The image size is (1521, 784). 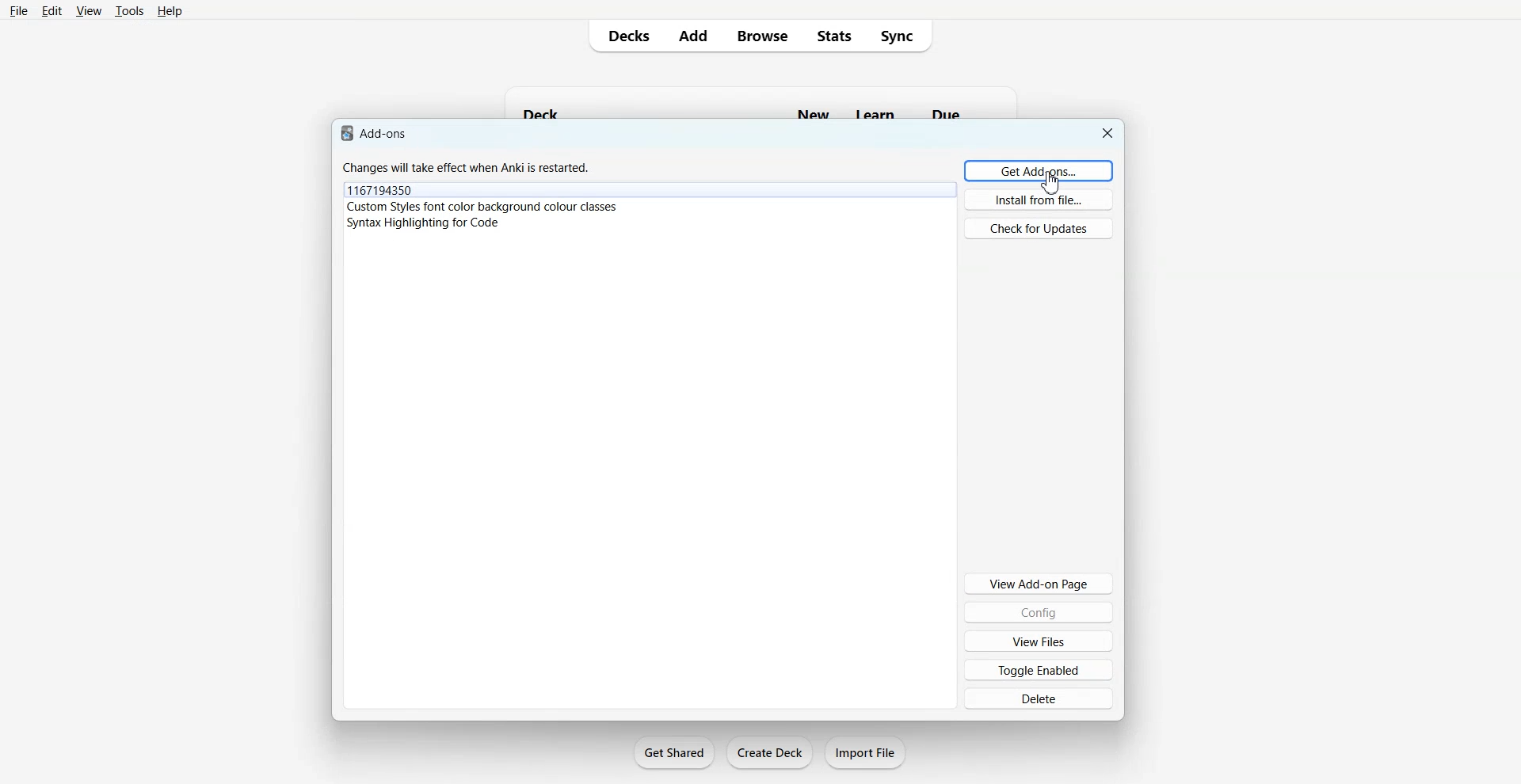 What do you see at coordinates (424, 222) in the screenshot?
I see `Syntax Highlighting for Code` at bounding box center [424, 222].